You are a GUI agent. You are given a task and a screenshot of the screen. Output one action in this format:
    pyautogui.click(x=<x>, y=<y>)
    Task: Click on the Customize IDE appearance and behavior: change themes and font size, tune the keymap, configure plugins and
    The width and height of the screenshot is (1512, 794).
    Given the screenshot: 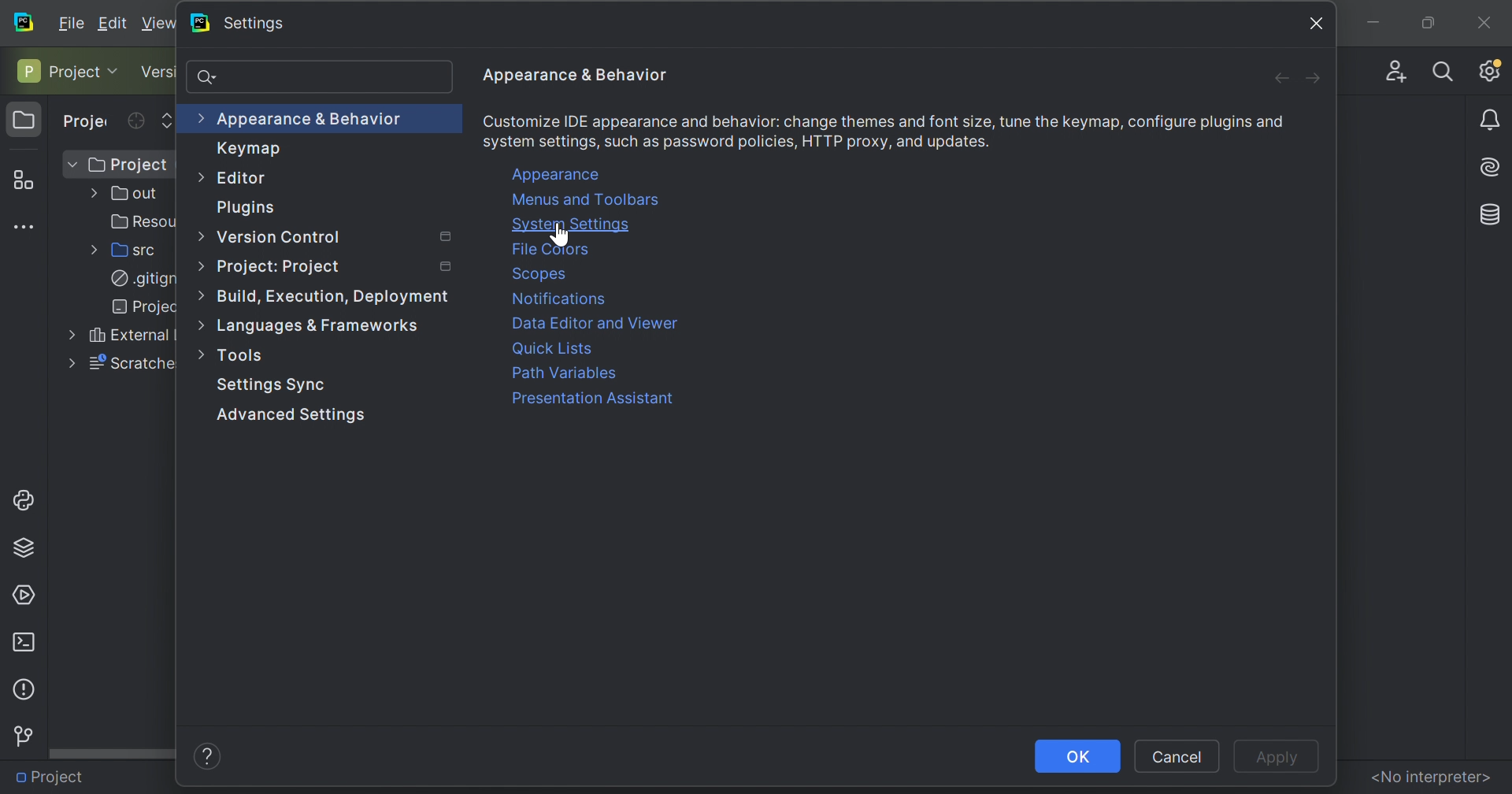 What is the action you would take?
    pyautogui.click(x=887, y=121)
    